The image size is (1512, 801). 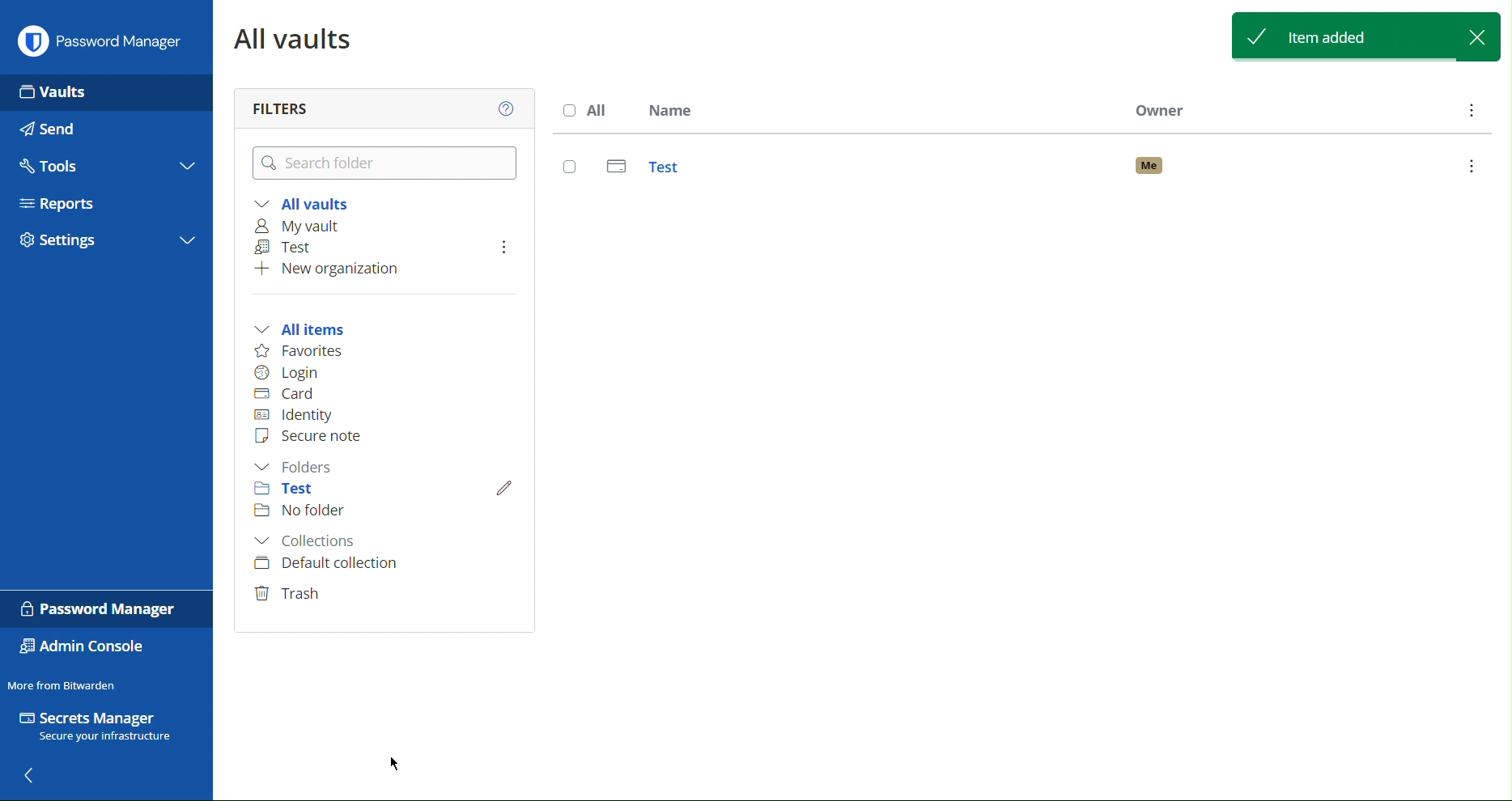 What do you see at coordinates (669, 108) in the screenshot?
I see `Name` at bounding box center [669, 108].